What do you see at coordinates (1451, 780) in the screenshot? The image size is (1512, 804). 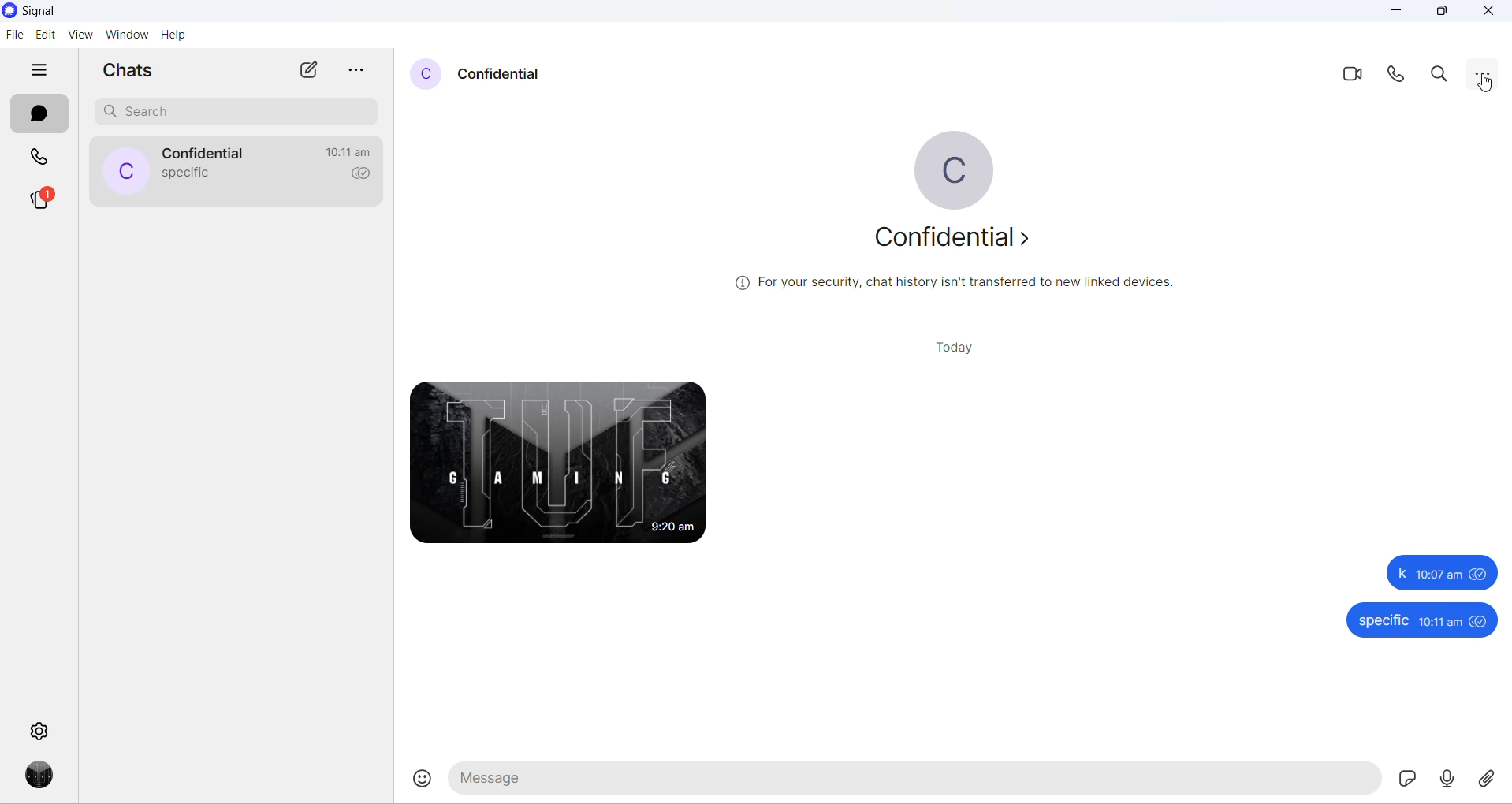 I see `voice mail` at bounding box center [1451, 780].